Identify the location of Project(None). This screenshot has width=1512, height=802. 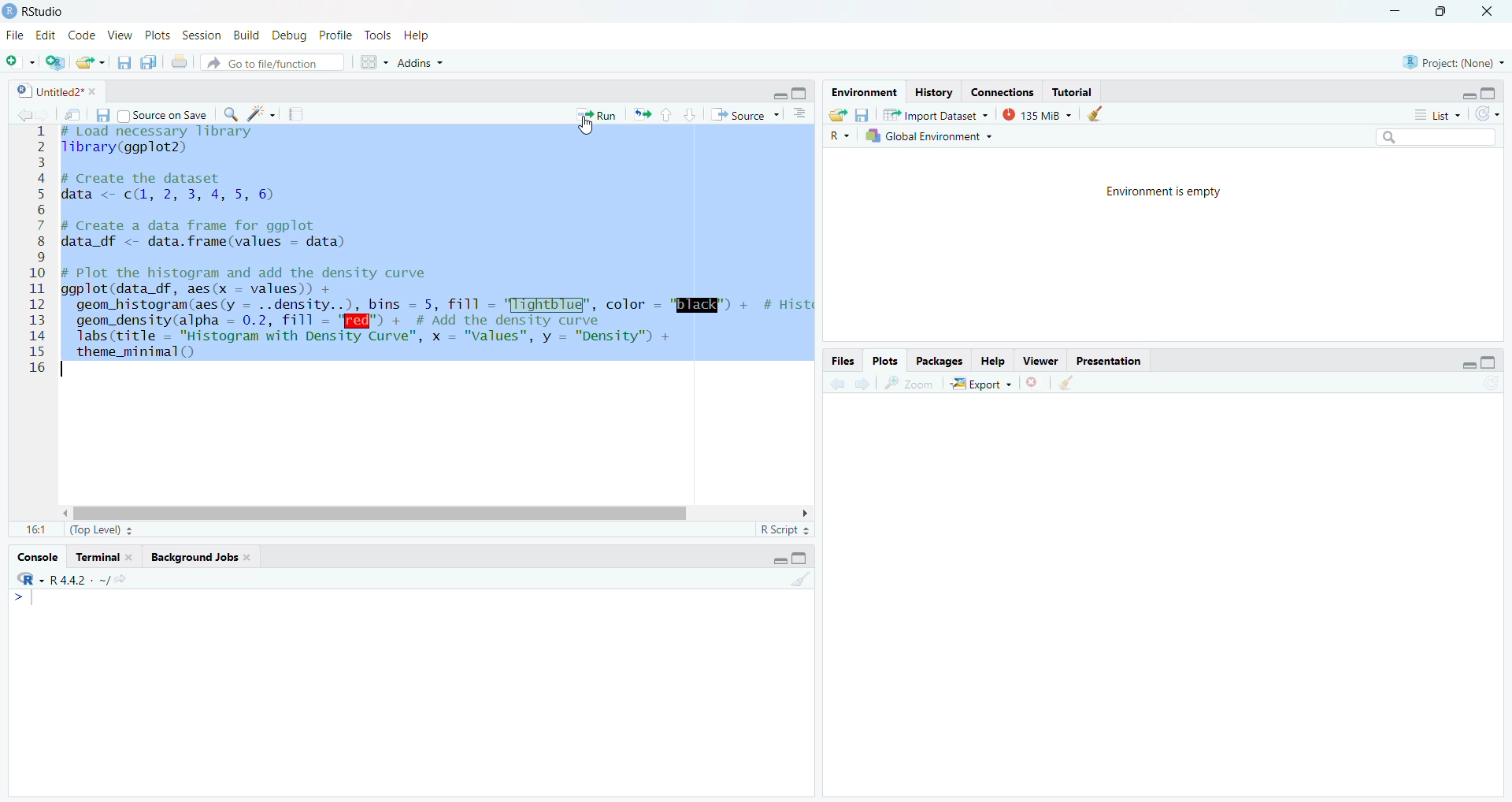
(1458, 62).